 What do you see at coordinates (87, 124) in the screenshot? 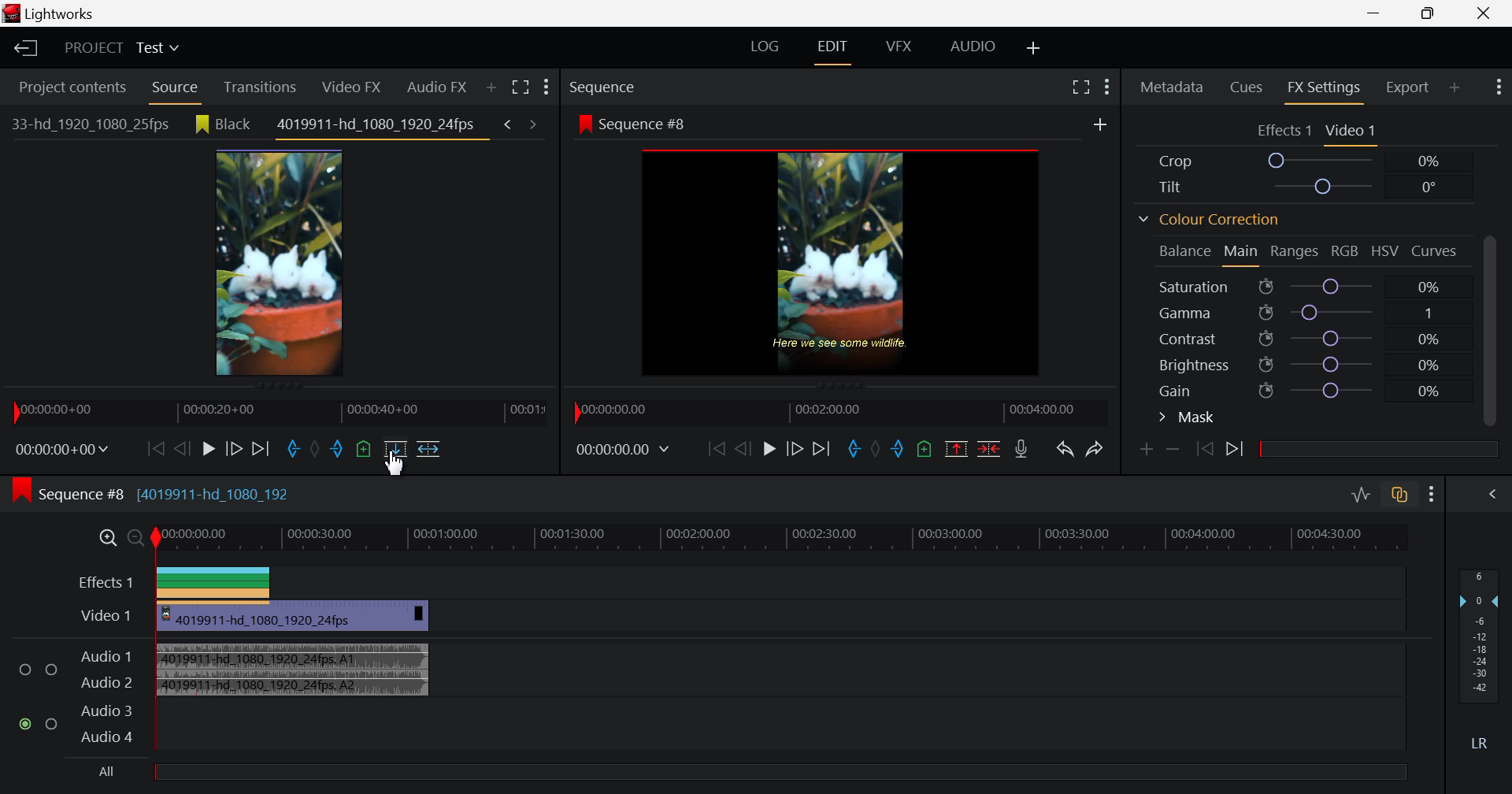
I see `33-hd_1920_1080_25fps` at bounding box center [87, 124].